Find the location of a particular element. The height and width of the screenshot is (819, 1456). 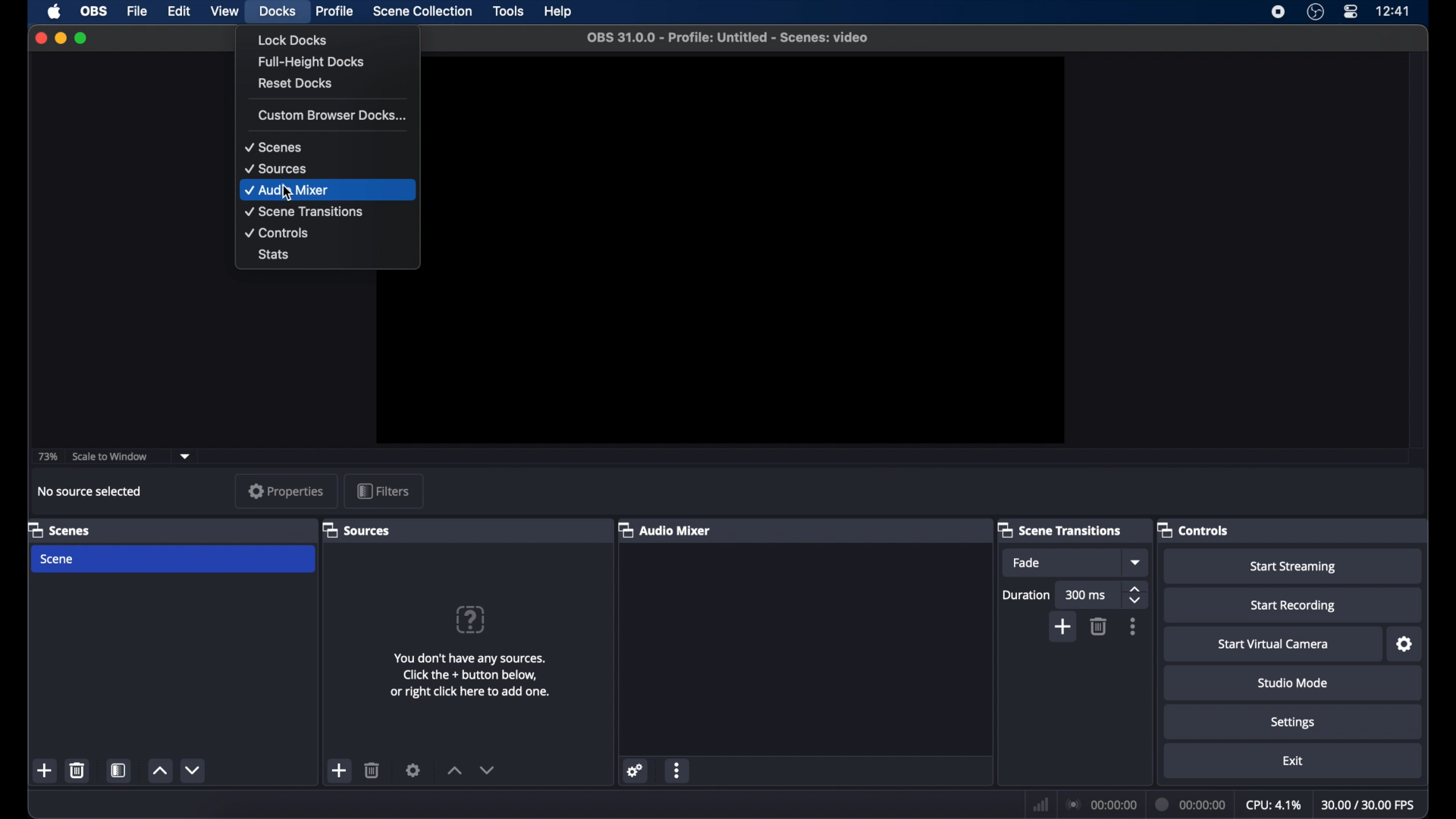

You don't have any sources.
Click the + button below,
or right click here to add one. is located at coordinates (469, 674).